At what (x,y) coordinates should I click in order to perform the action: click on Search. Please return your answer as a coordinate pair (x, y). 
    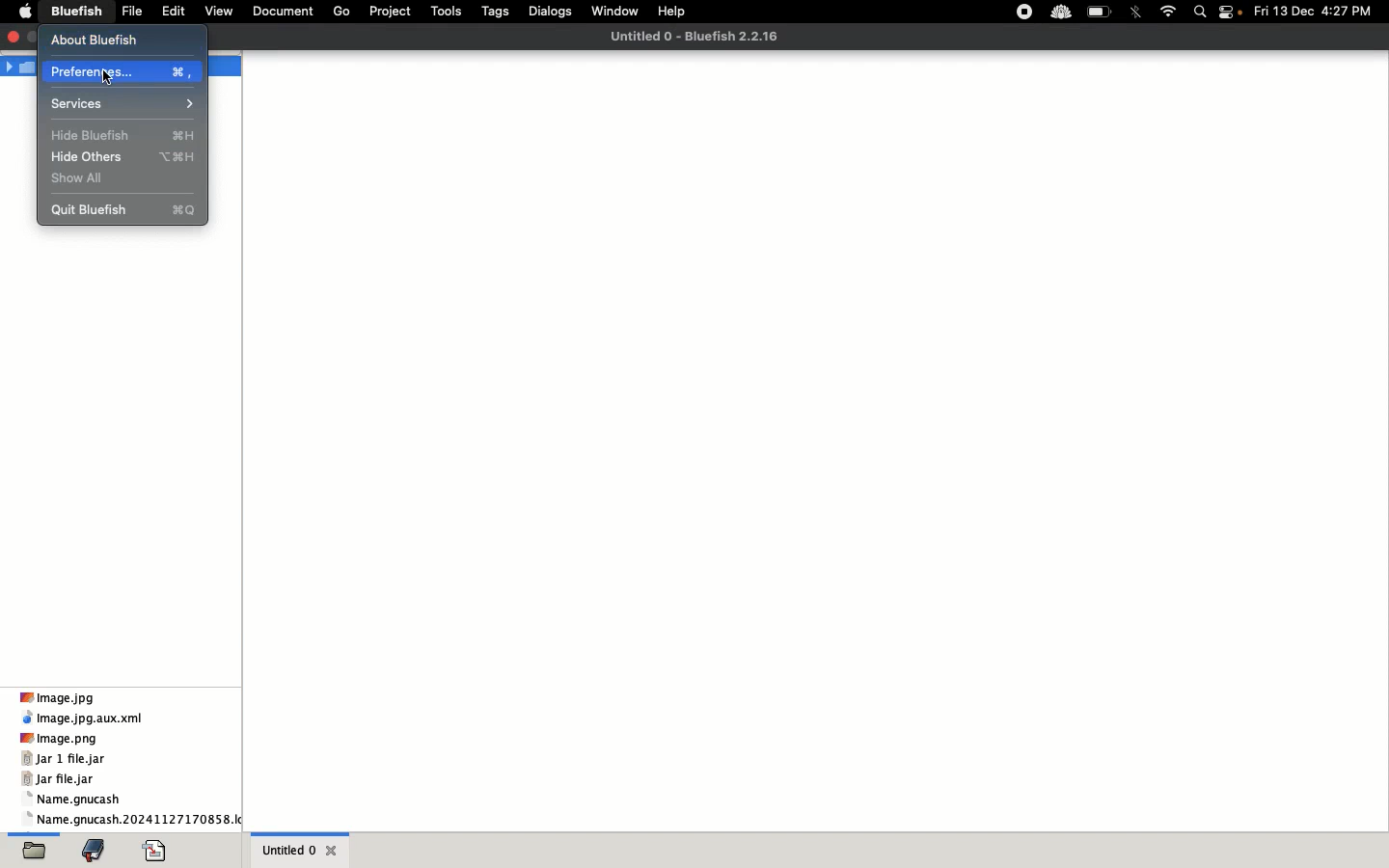
    Looking at the image, I should click on (1202, 13).